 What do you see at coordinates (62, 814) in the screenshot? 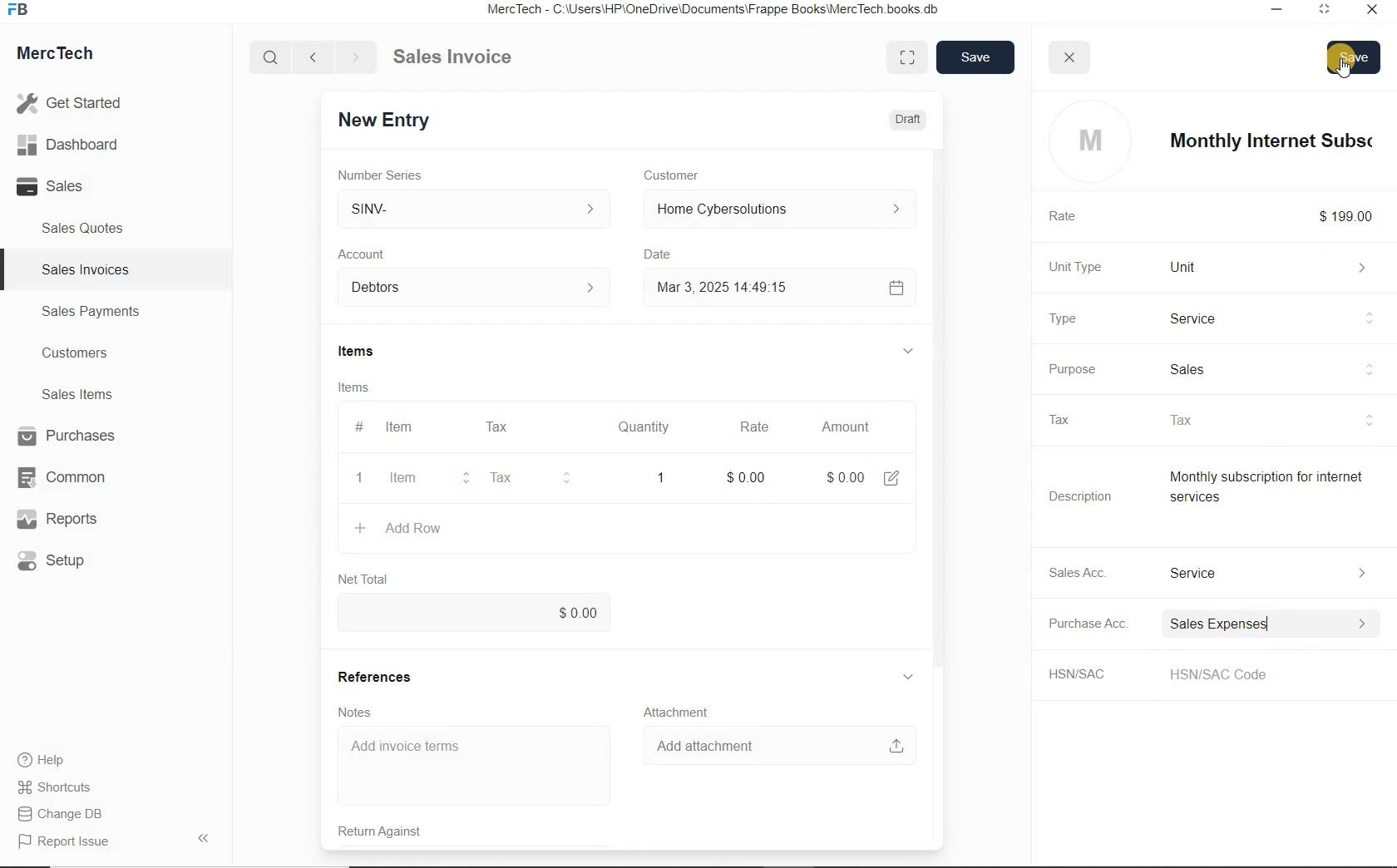
I see `Change DB` at bounding box center [62, 814].